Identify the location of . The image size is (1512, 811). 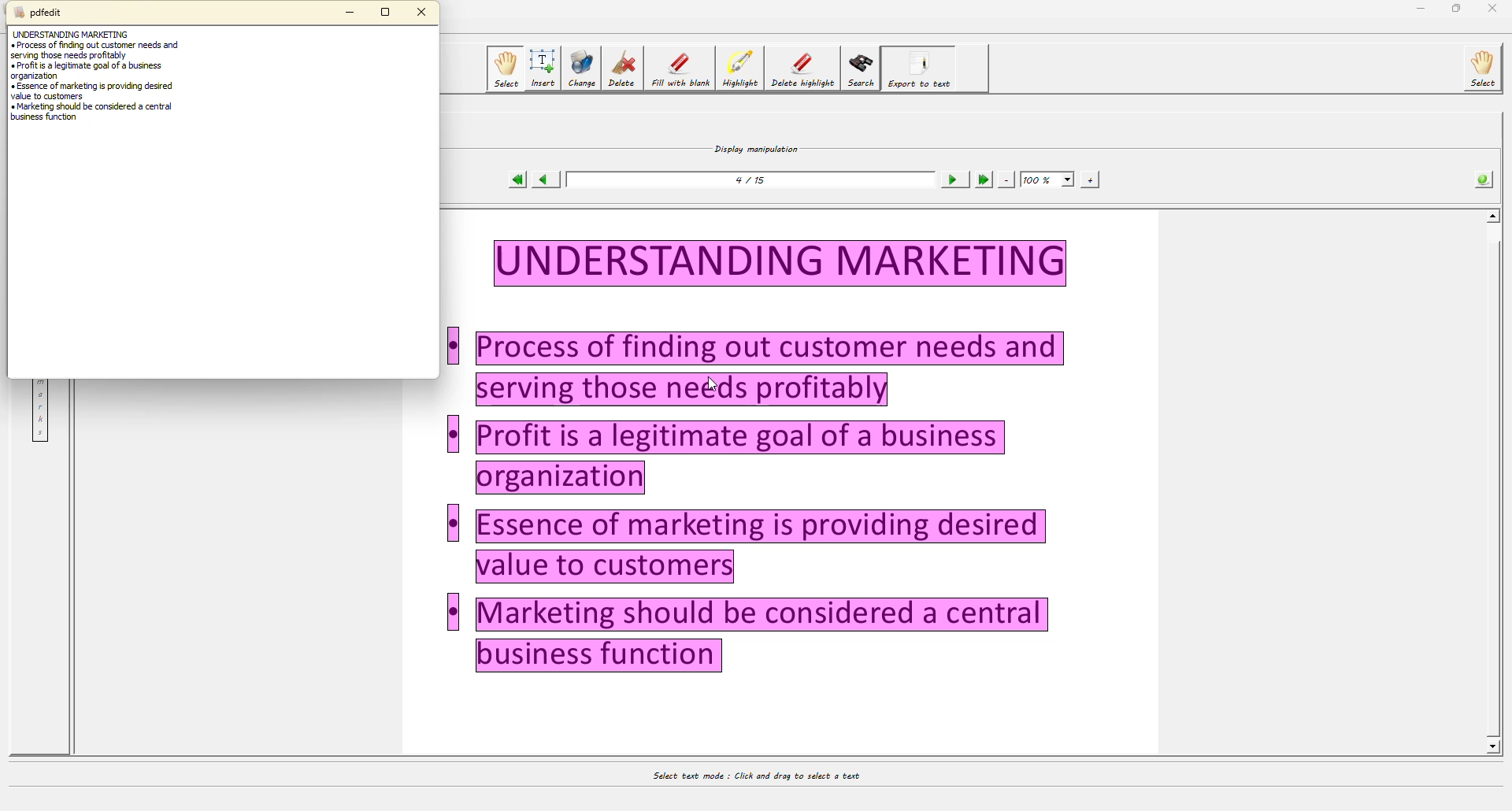
(775, 368).